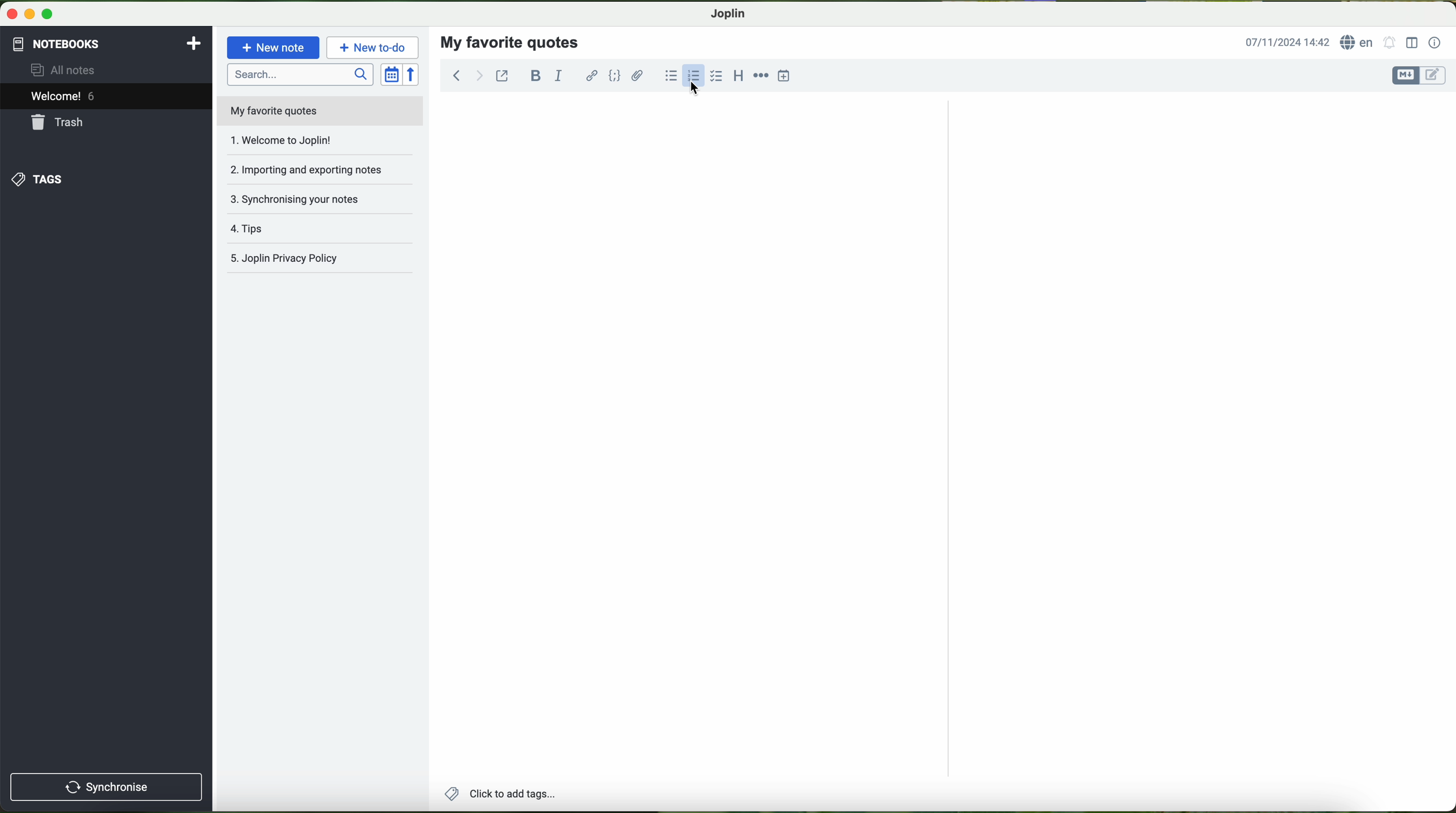 The image size is (1456, 813). I want to click on new note button, so click(274, 47).